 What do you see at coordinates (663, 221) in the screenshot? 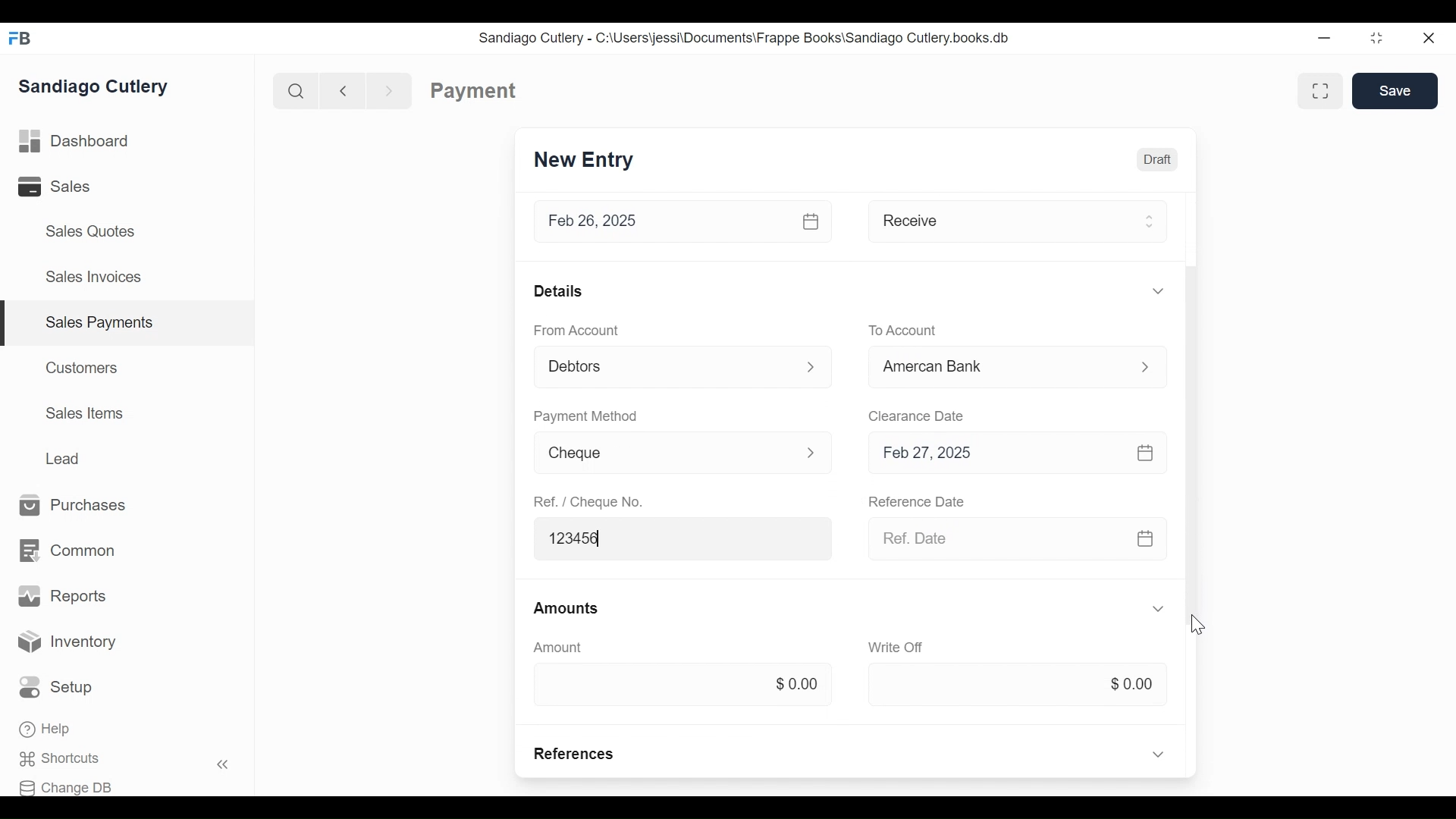
I see `Feb 26, 2025 ` at bounding box center [663, 221].